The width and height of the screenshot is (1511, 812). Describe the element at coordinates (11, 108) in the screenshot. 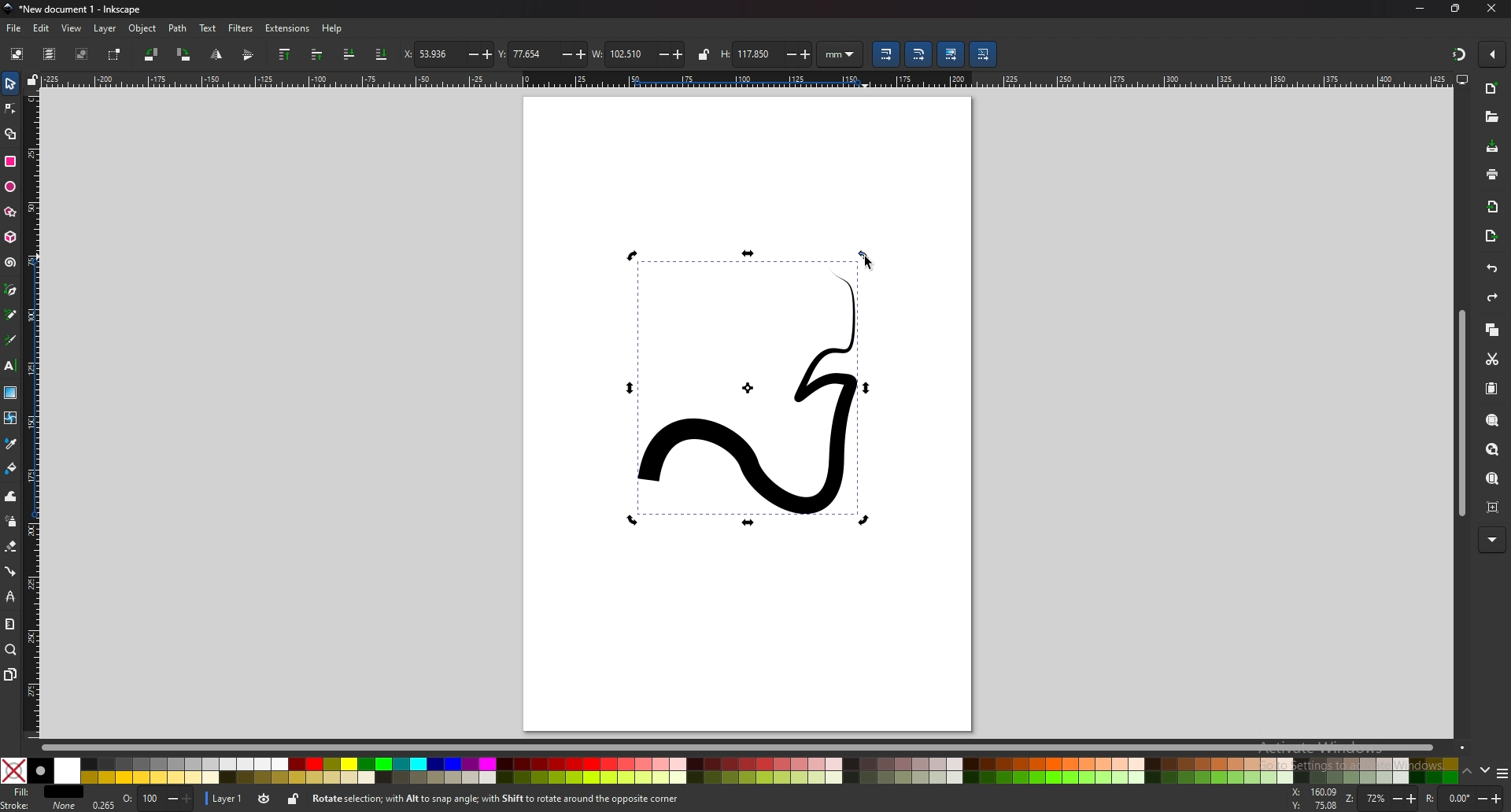

I see `nodes` at that location.